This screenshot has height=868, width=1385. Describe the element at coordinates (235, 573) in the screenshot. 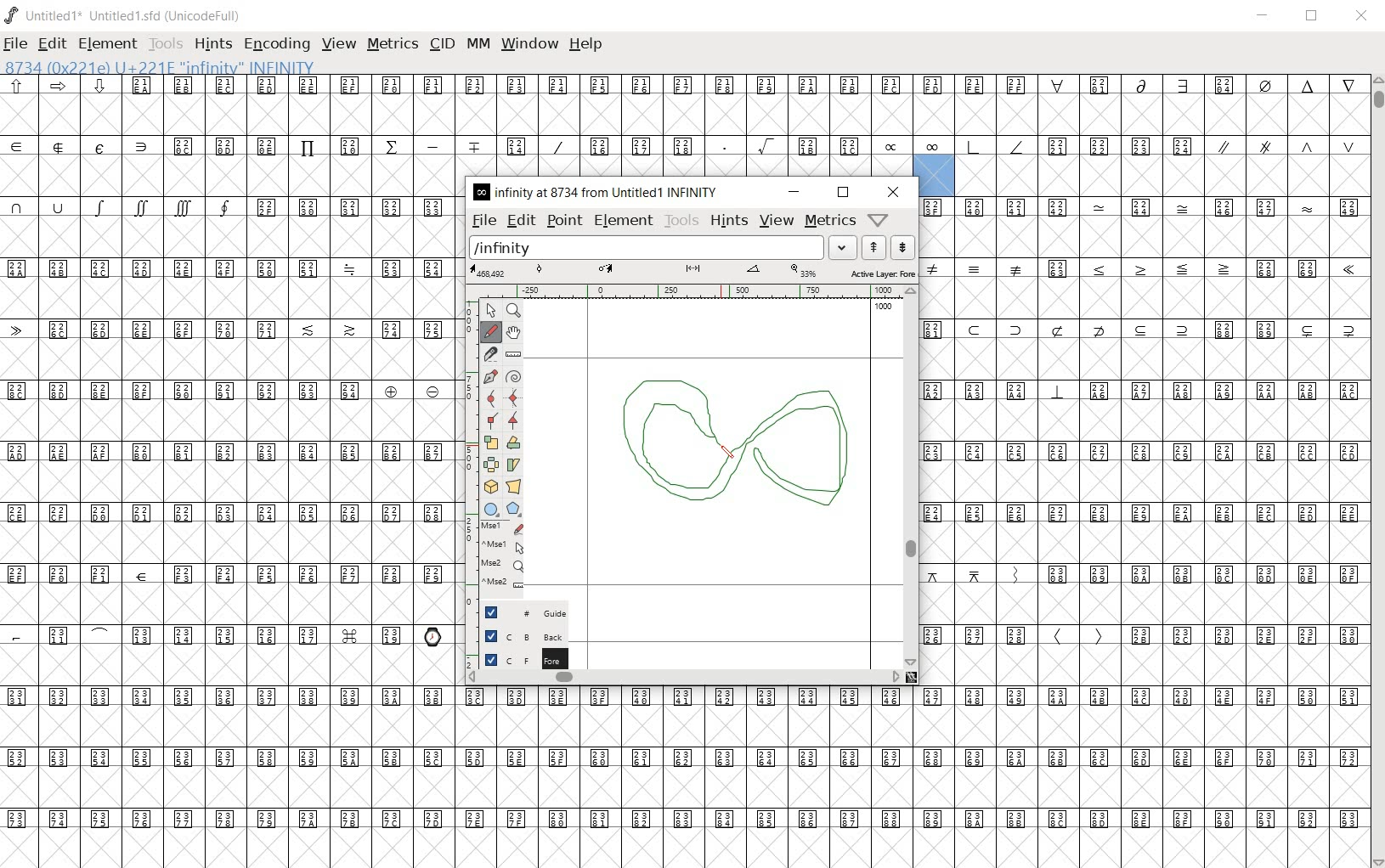

I see `Unicode code points` at that location.